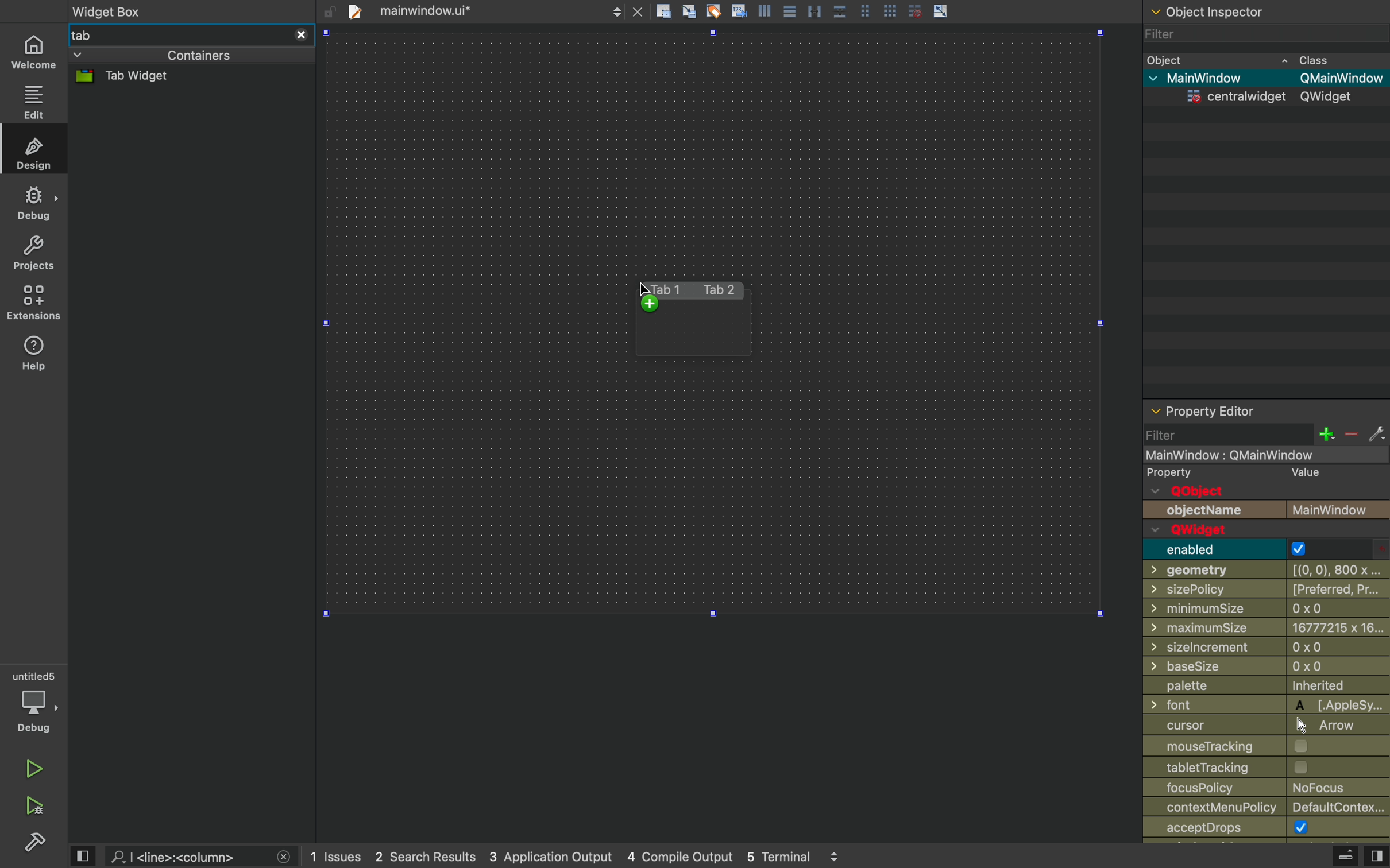 This screenshot has height=868, width=1390. I want to click on search, so click(188, 855).